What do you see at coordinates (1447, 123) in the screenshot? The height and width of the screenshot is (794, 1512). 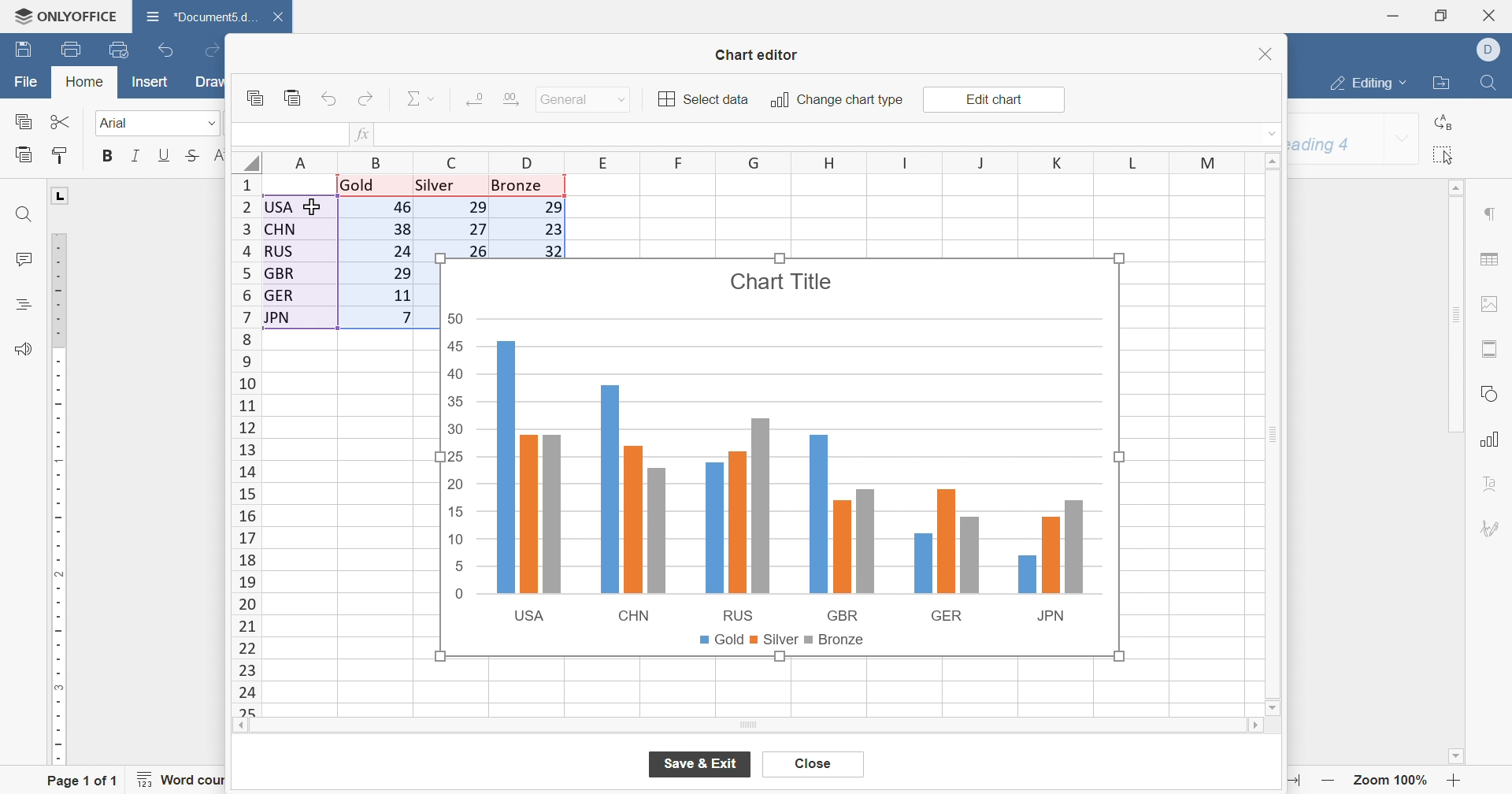 I see `replace` at bounding box center [1447, 123].